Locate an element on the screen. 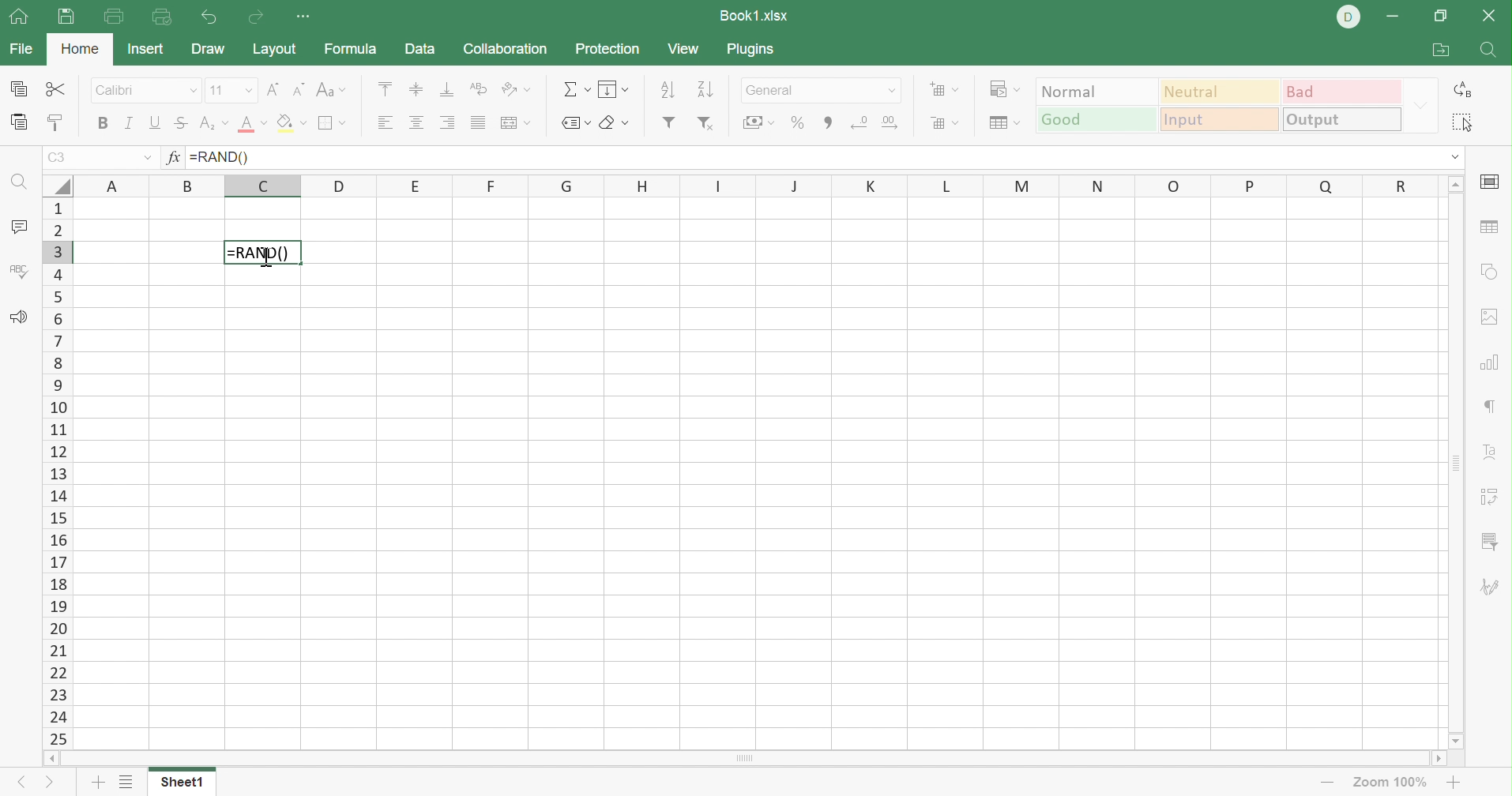 The width and height of the screenshot is (1512, 796). Comma style is located at coordinates (828, 123).